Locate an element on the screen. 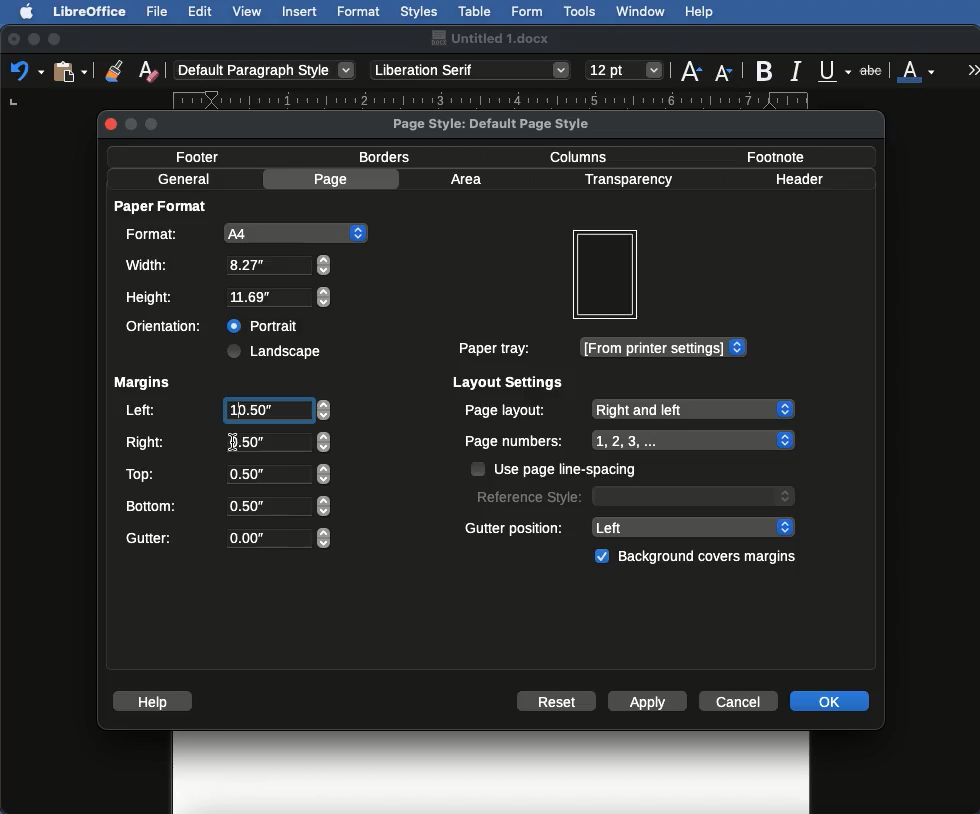 This screenshot has width=980, height=814. Page style is located at coordinates (508, 123).